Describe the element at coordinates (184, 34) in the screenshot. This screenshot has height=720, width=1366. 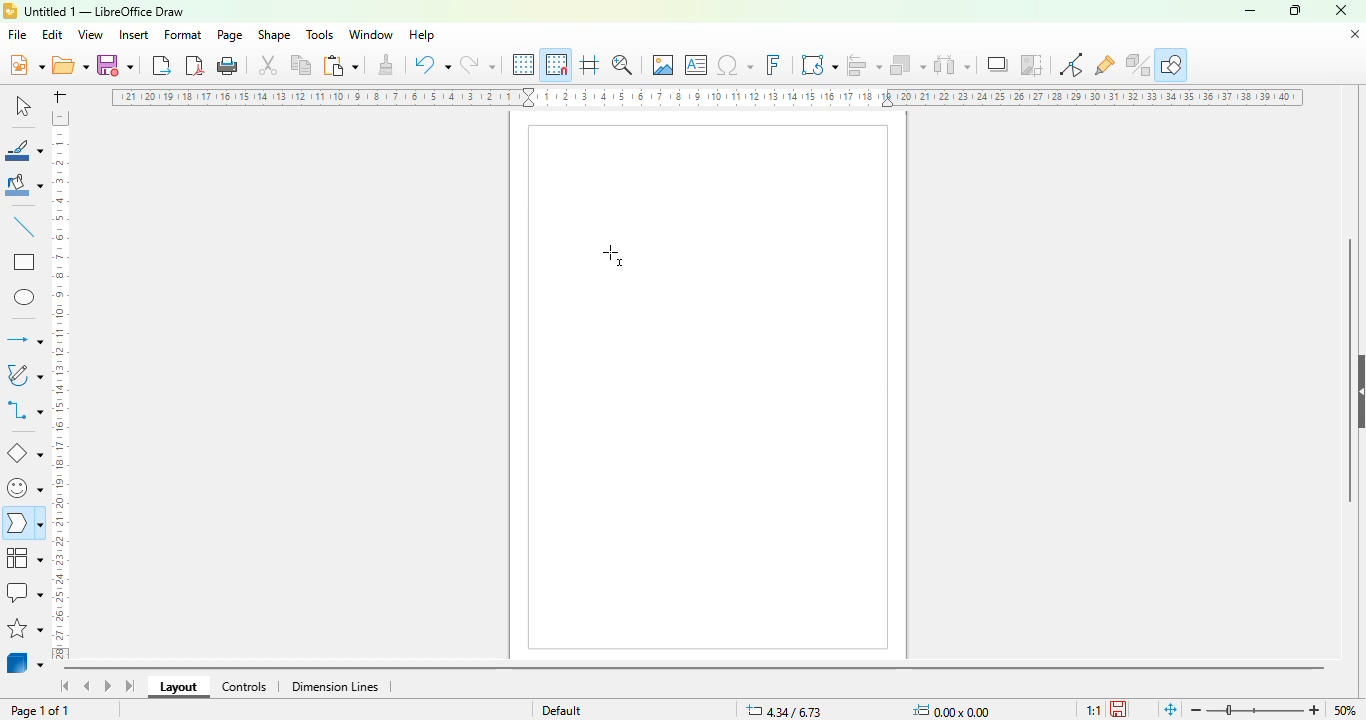
I see `format` at that location.